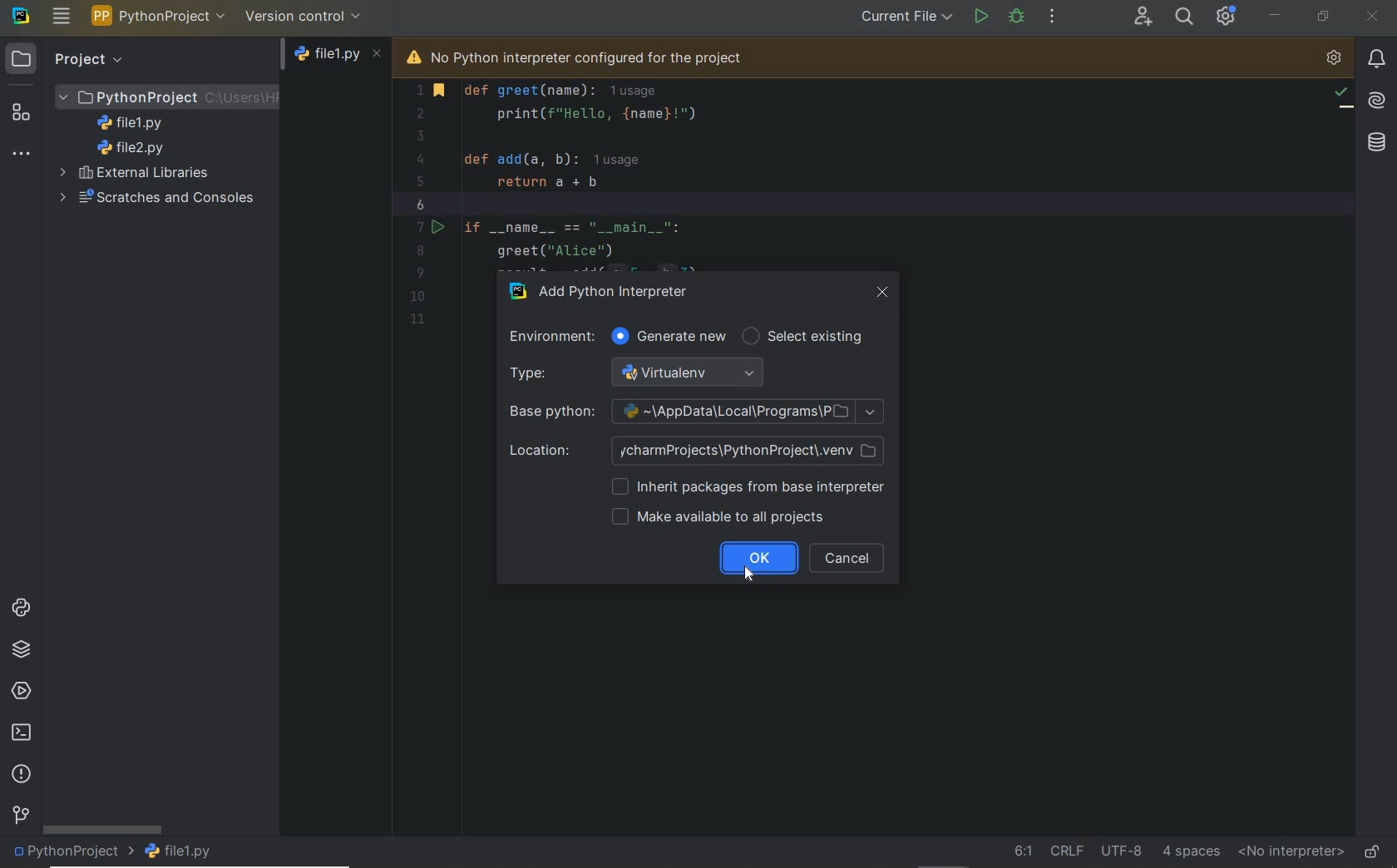 The width and height of the screenshot is (1397, 868). Describe the element at coordinates (807, 338) in the screenshot. I see `select exiting` at that location.